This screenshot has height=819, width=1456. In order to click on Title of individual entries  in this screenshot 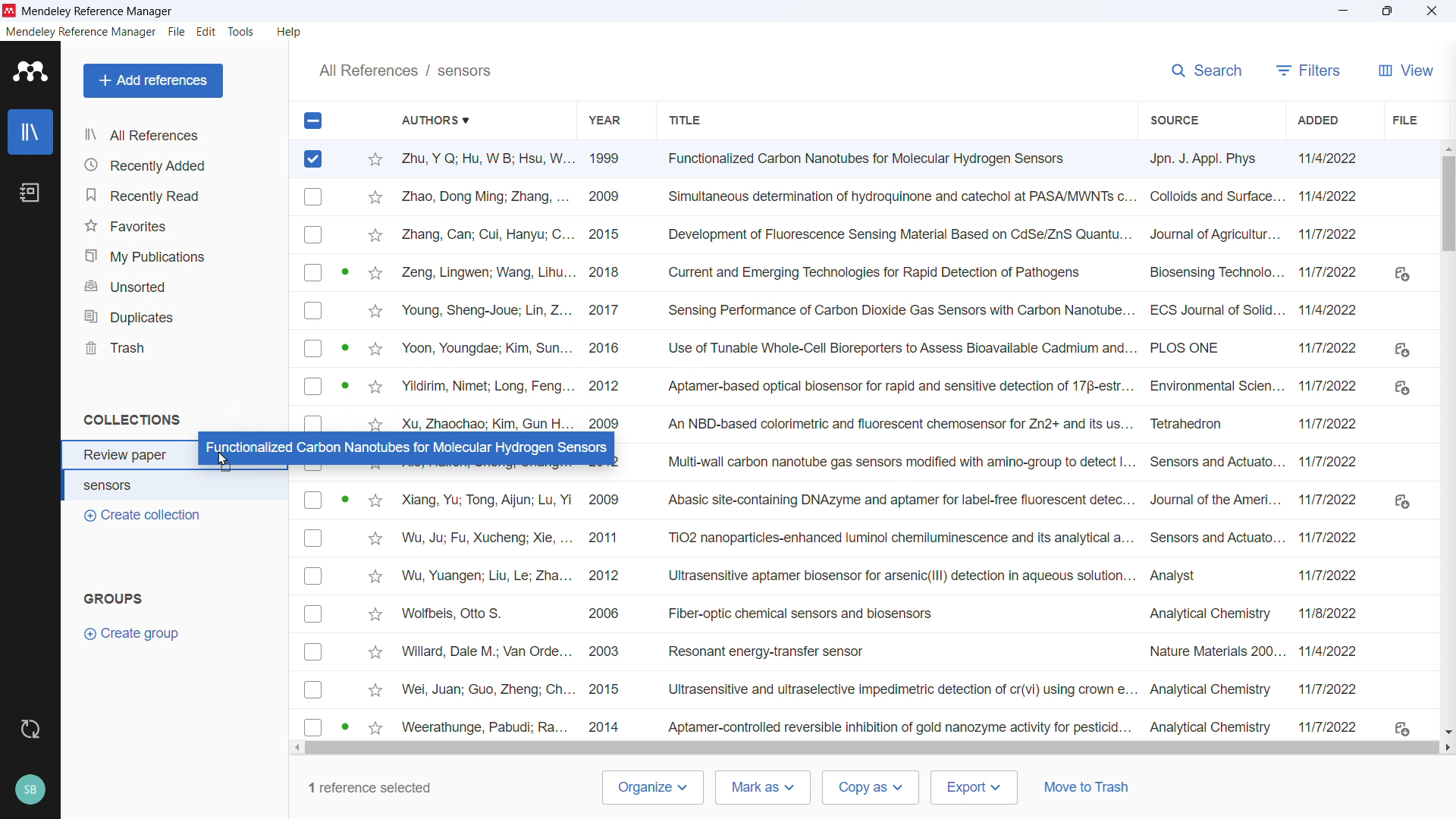, I will do `click(896, 444)`.